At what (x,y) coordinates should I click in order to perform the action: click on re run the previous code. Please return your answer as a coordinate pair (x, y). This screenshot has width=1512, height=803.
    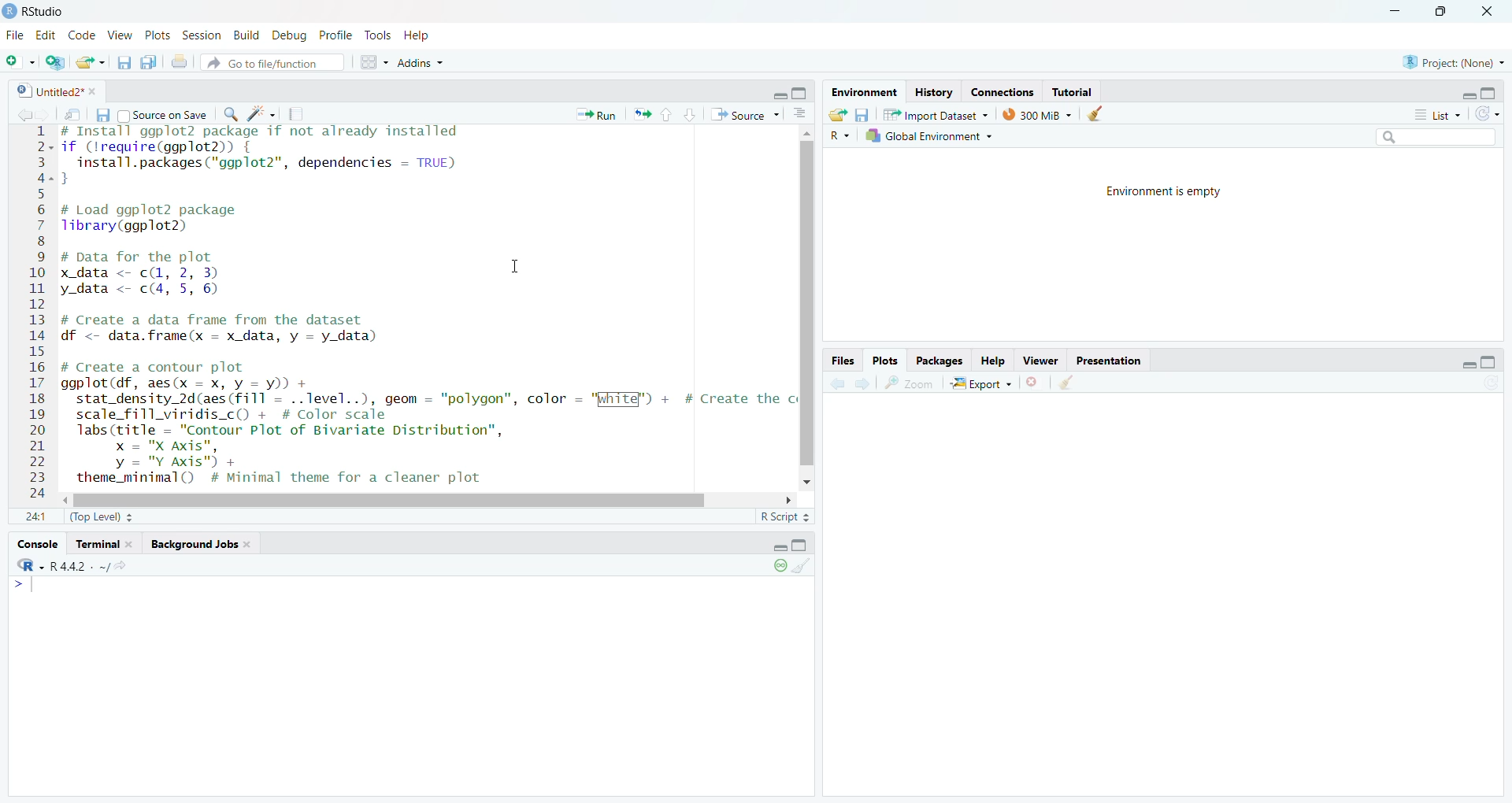
    Looking at the image, I should click on (642, 113).